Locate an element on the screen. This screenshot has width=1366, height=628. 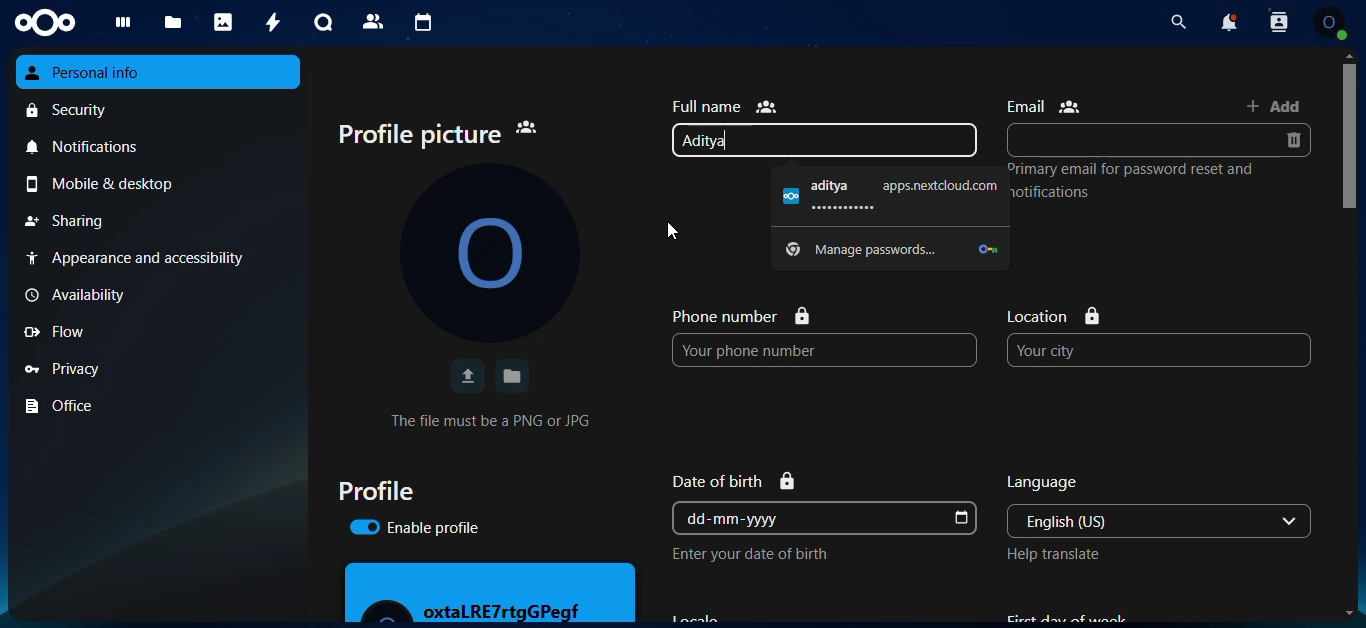
files is located at coordinates (169, 24).